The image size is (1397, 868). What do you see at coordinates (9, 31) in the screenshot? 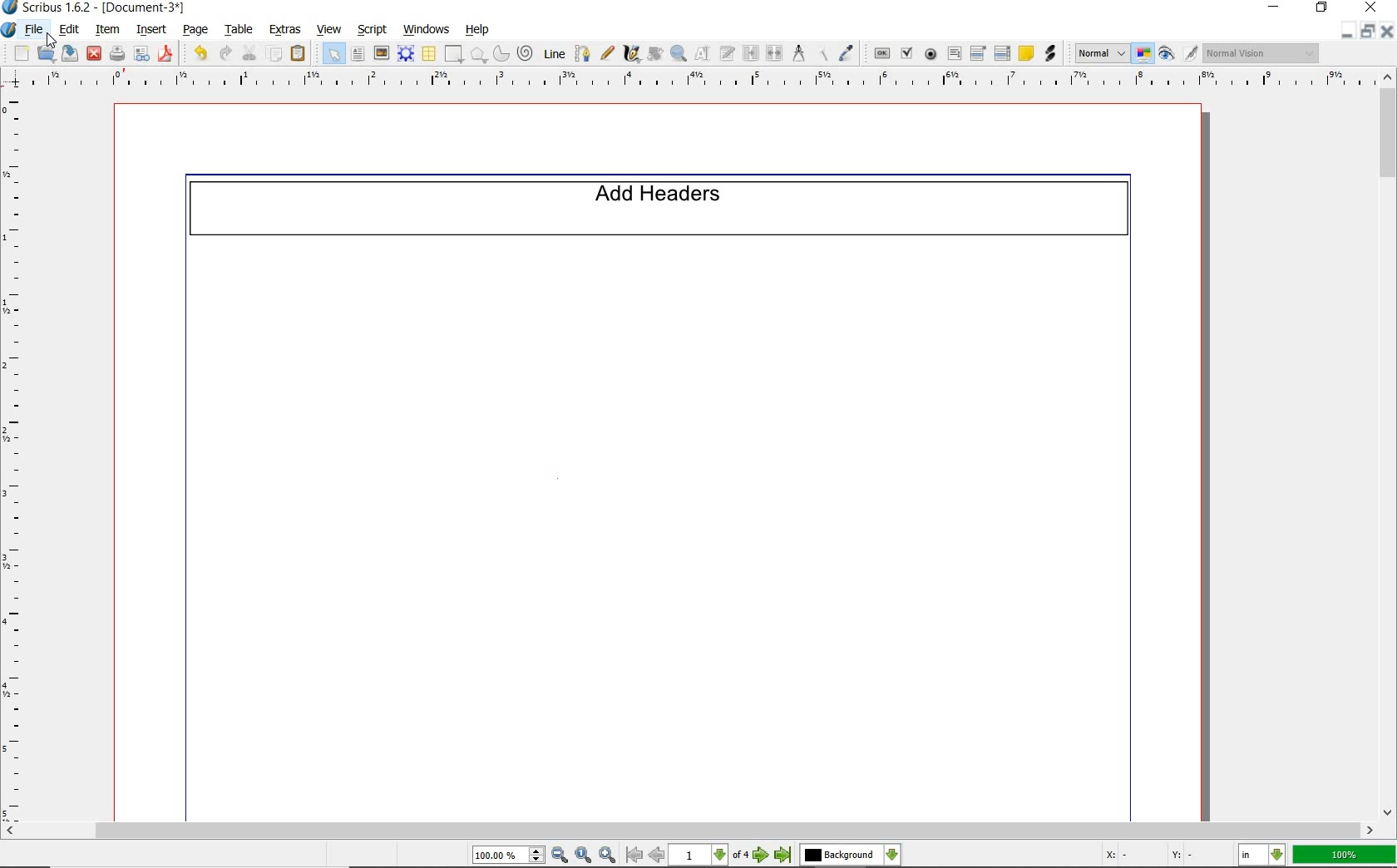
I see `system logo` at bounding box center [9, 31].